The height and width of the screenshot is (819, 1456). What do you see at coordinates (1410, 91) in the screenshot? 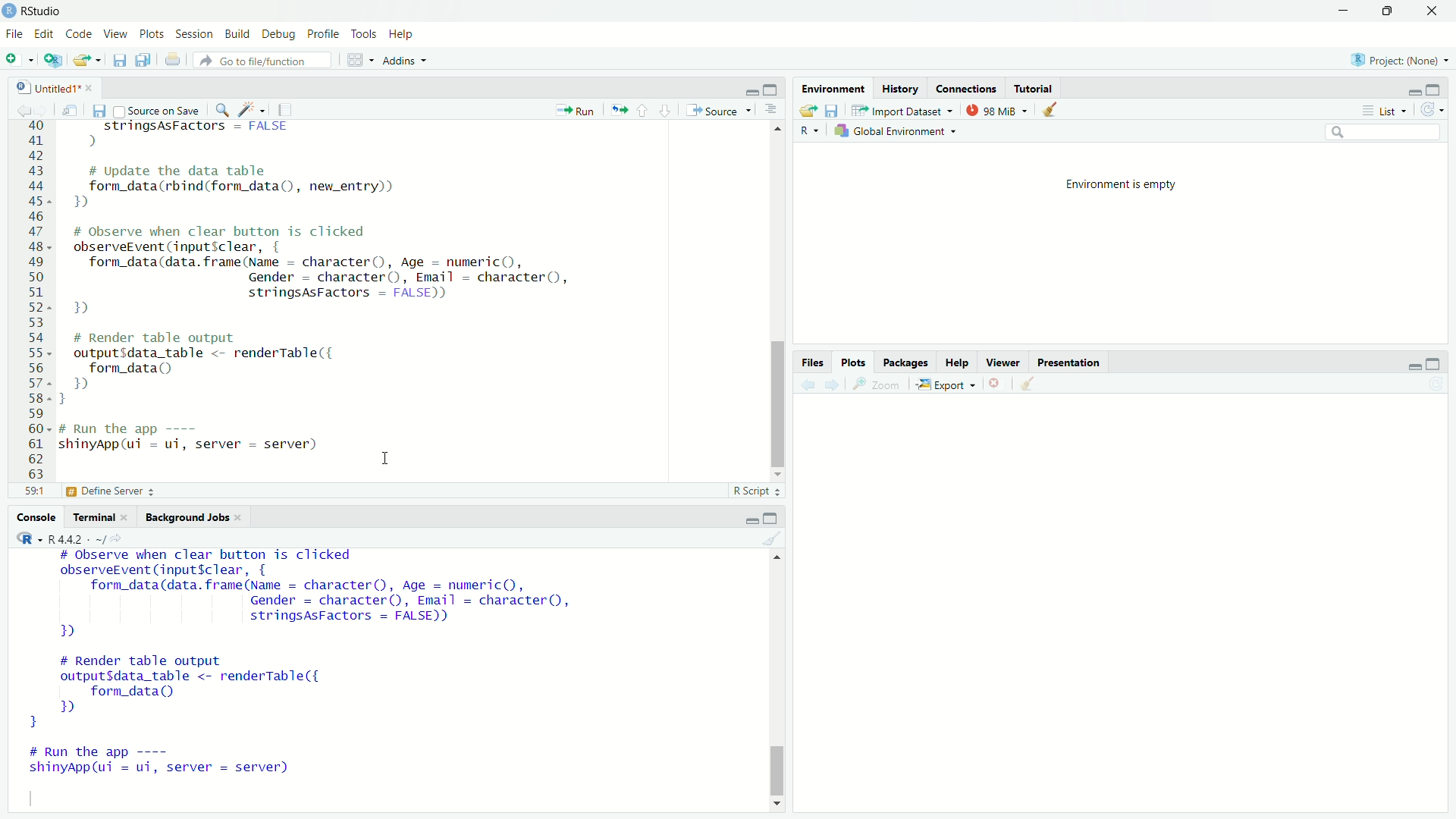
I see `minimize` at bounding box center [1410, 91].